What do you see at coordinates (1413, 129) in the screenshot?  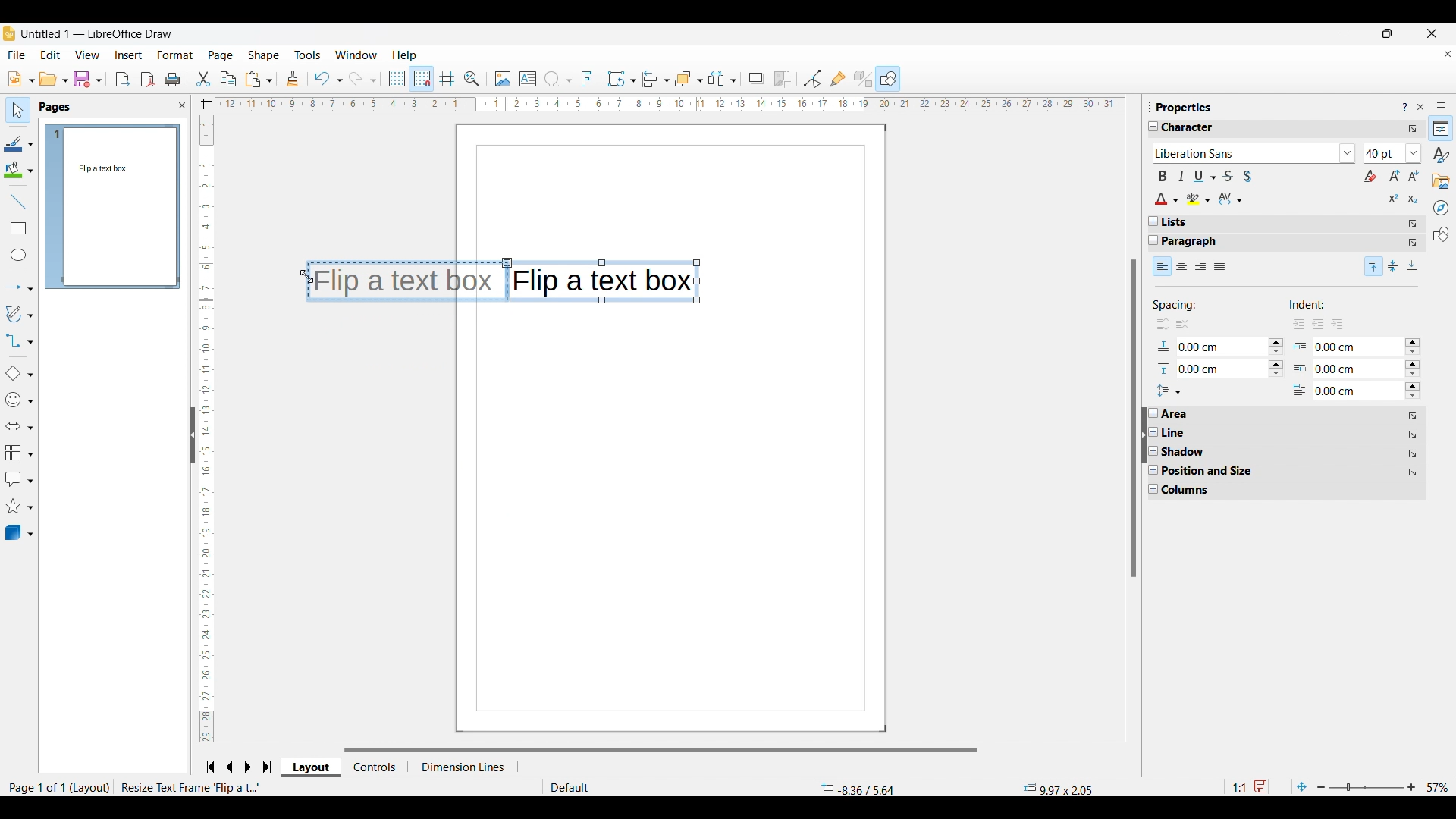 I see `More options` at bounding box center [1413, 129].